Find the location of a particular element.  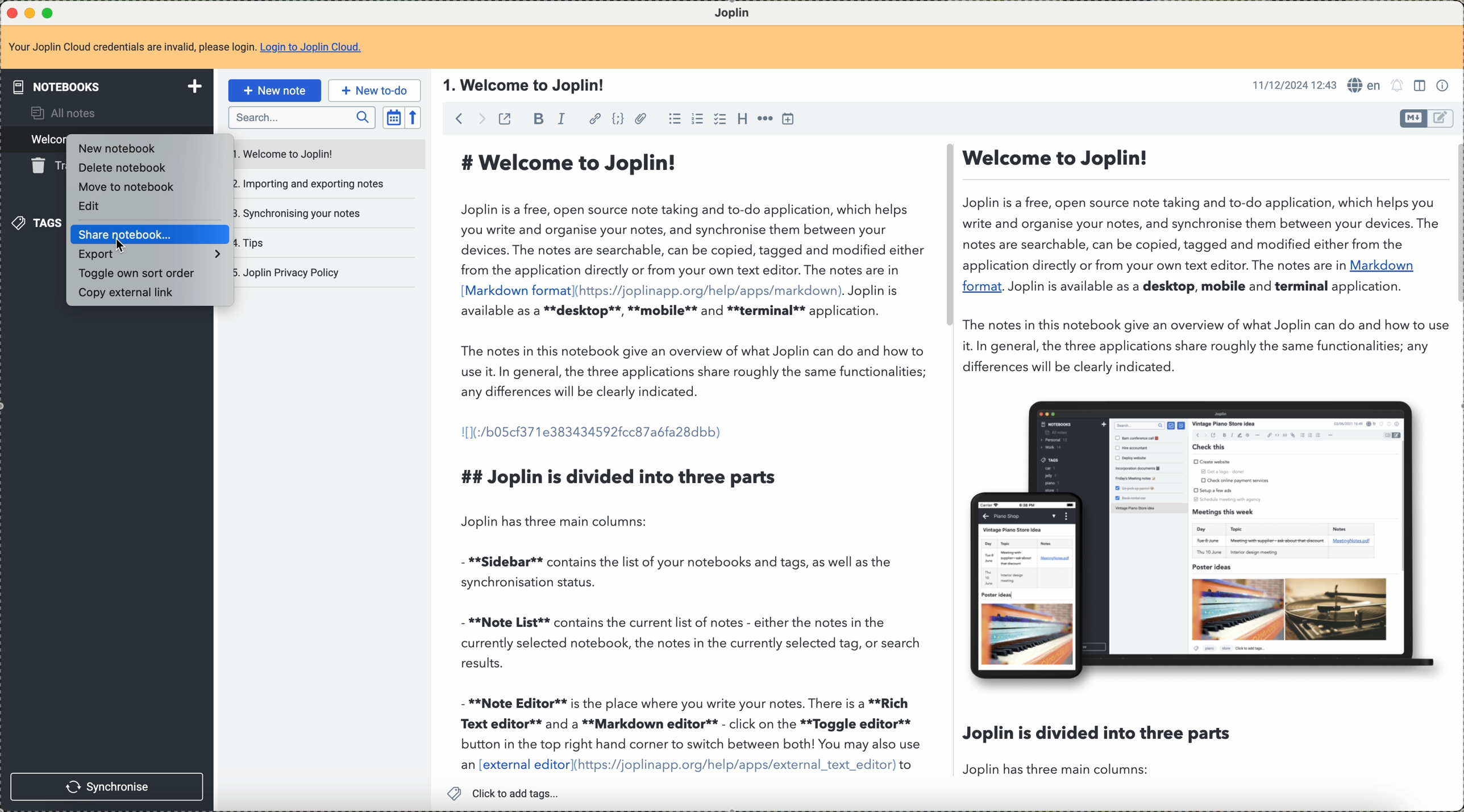

scroll bar is located at coordinates (946, 238).